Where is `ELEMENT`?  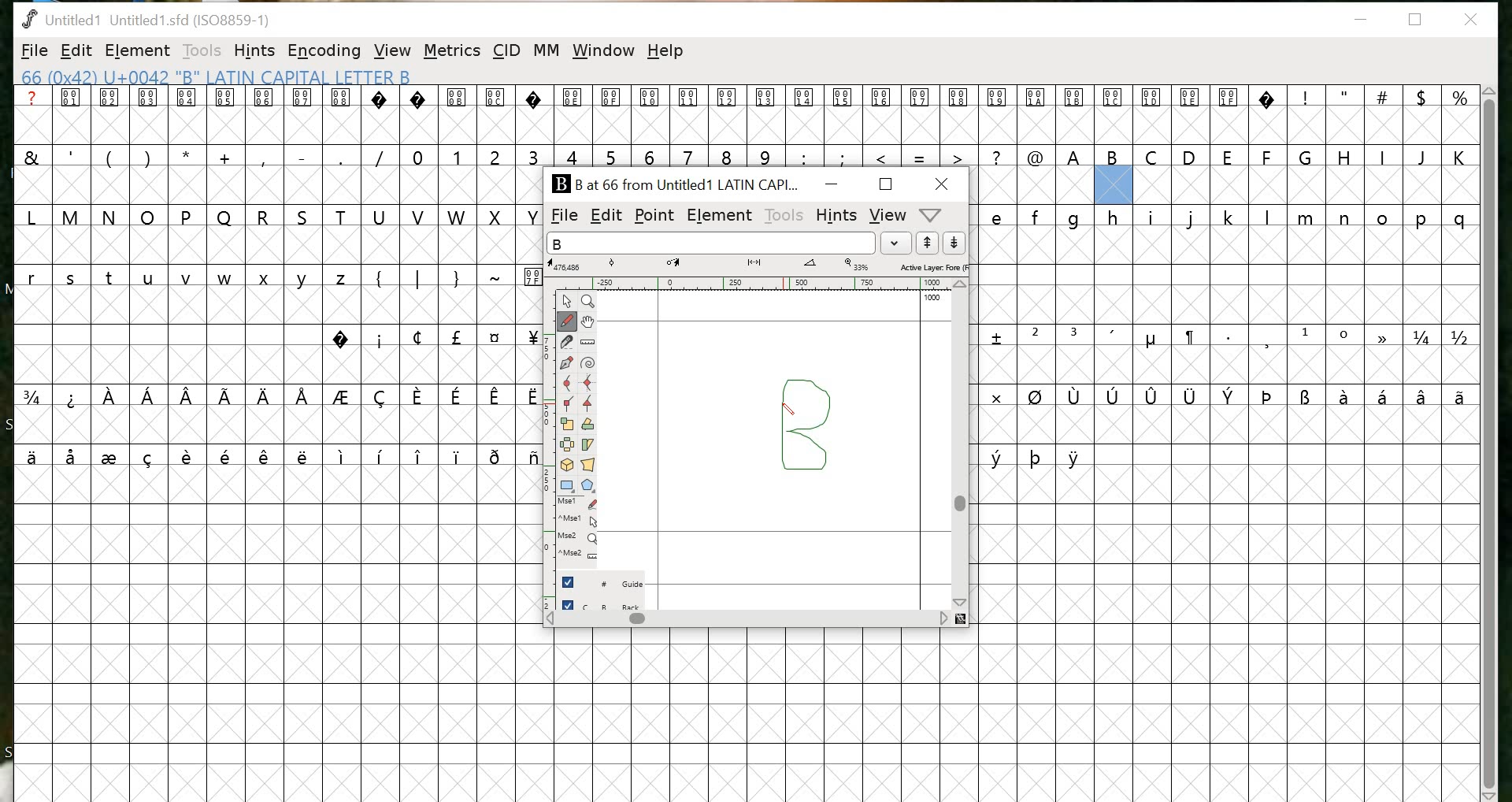
ELEMENT is located at coordinates (137, 51).